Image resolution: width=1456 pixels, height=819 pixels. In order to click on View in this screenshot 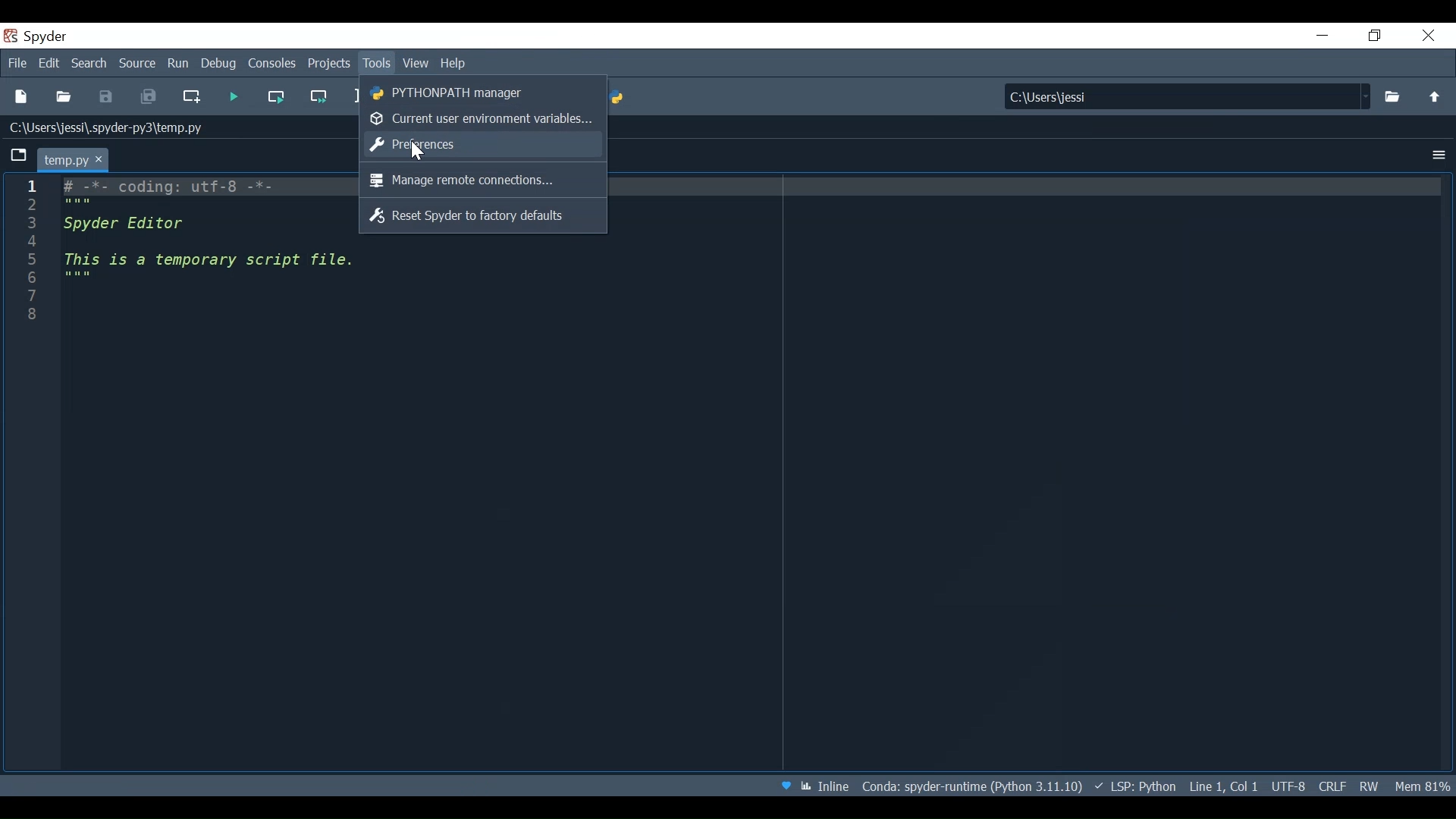, I will do `click(417, 63)`.